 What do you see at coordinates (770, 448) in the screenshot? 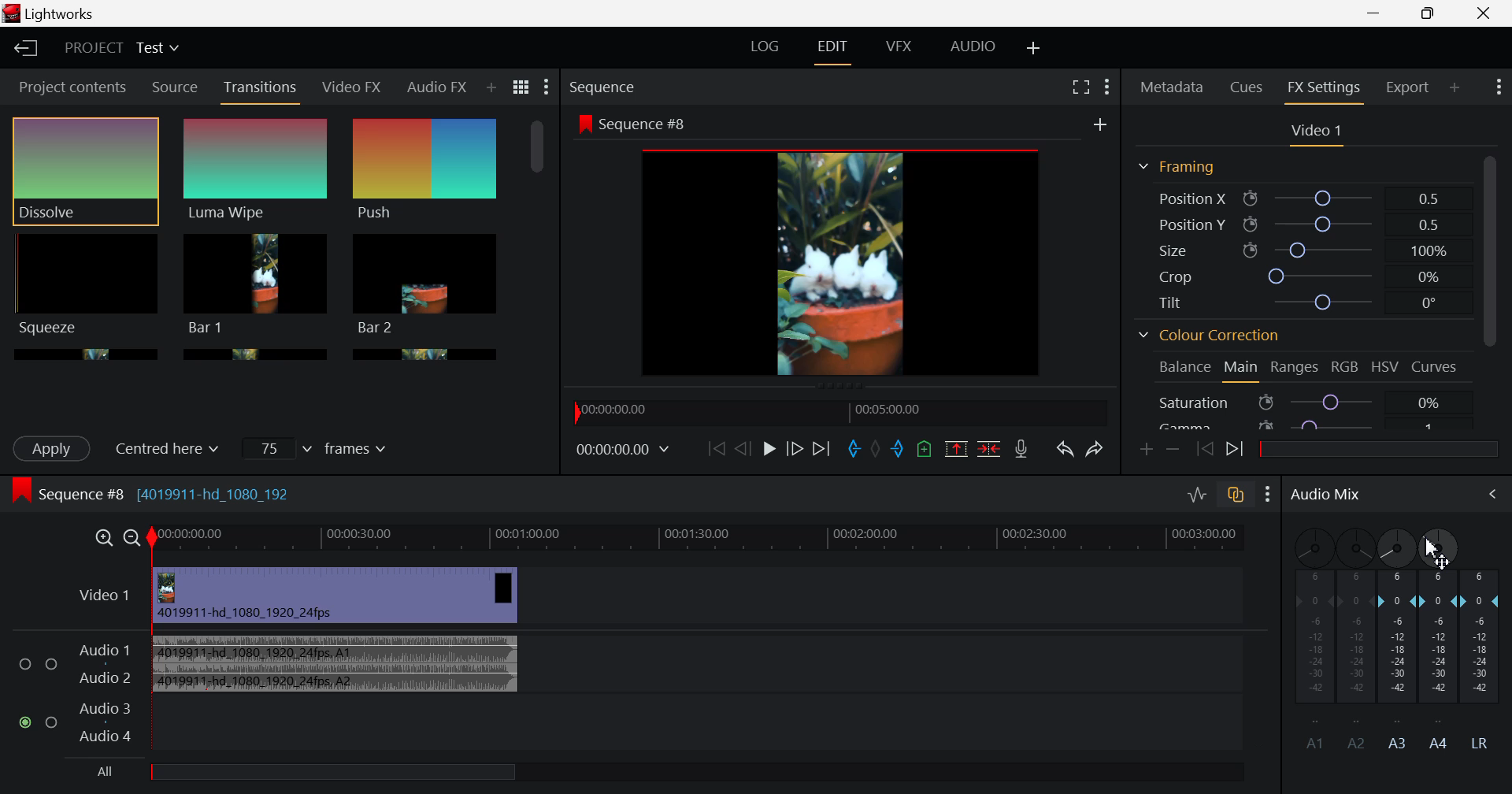
I see `Play` at bounding box center [770, 448].